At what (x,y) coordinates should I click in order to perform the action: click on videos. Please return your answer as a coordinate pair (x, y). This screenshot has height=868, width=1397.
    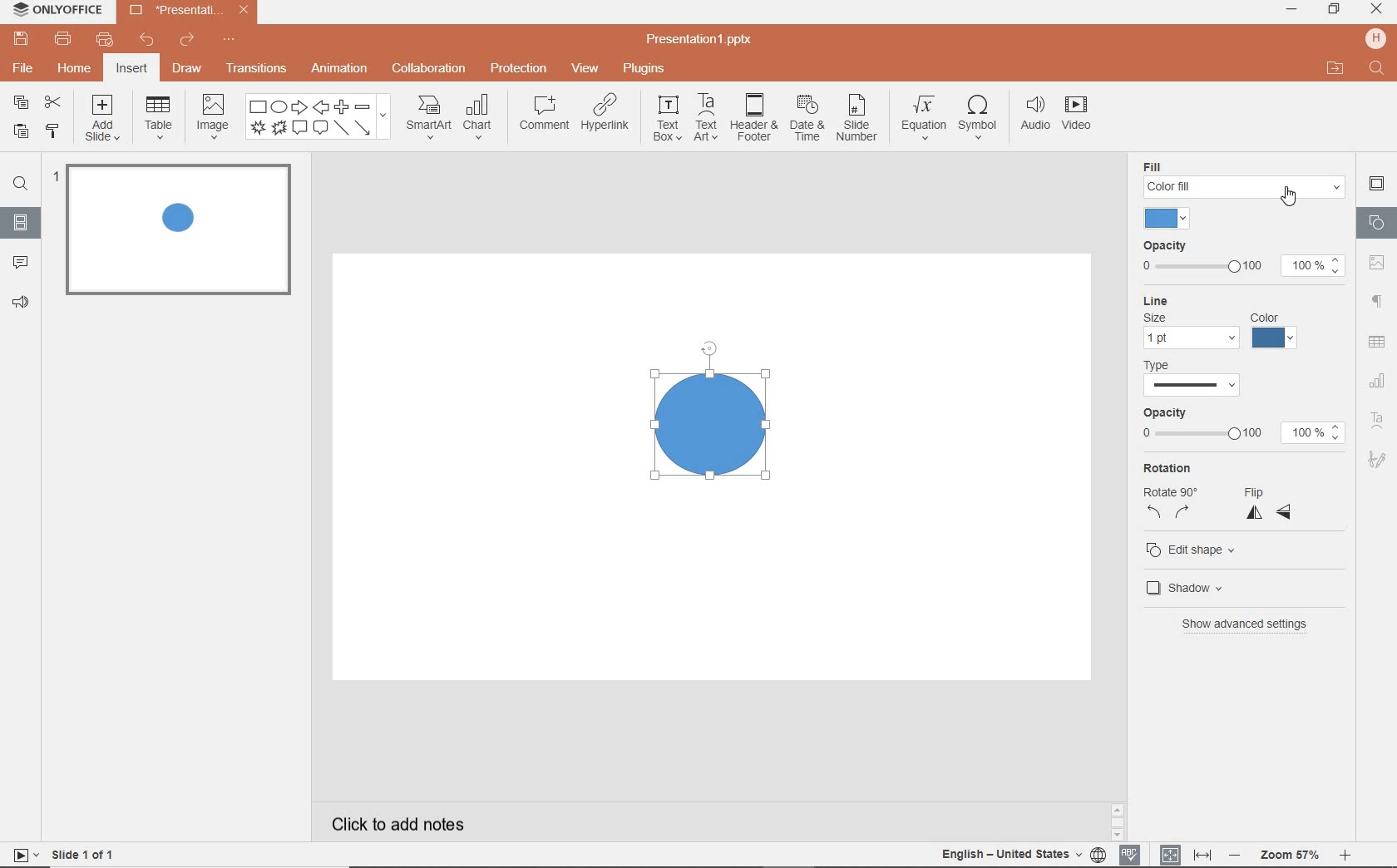
    Looking at the image, I should click on (1079, 115).